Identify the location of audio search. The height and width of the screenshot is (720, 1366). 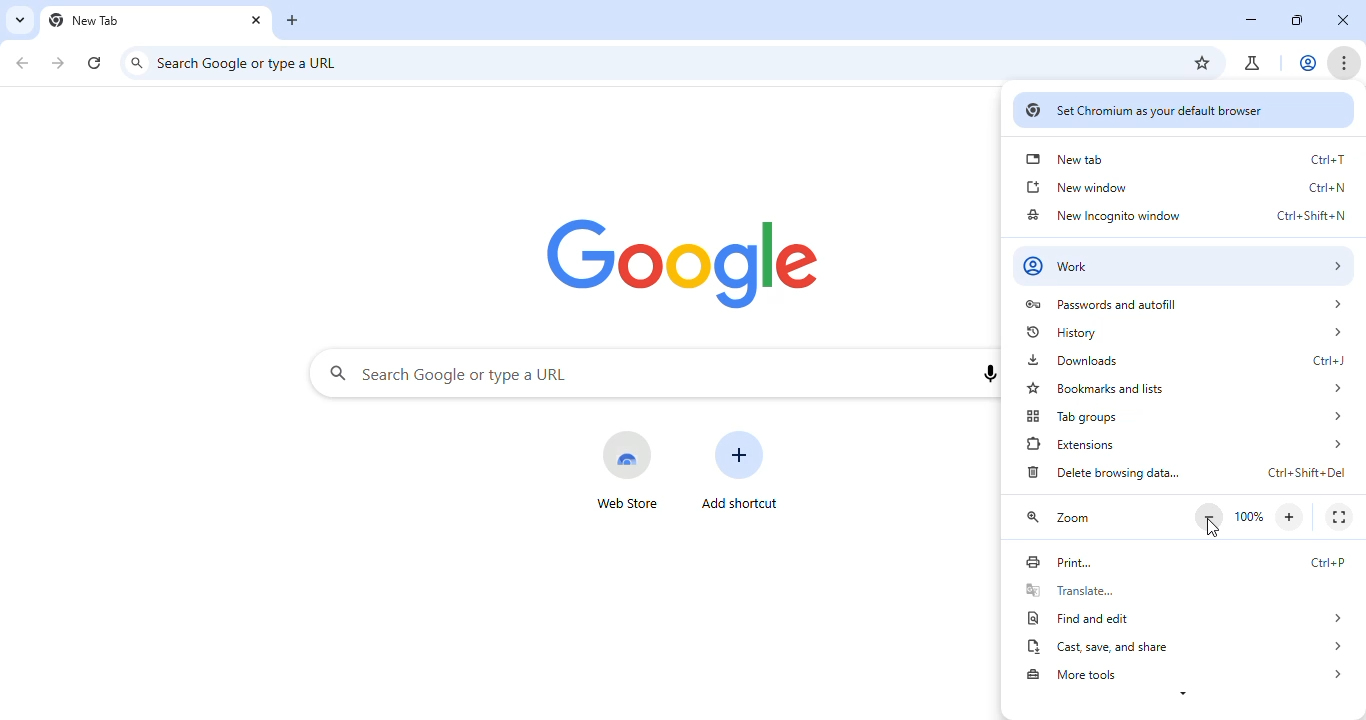
(988, 375).